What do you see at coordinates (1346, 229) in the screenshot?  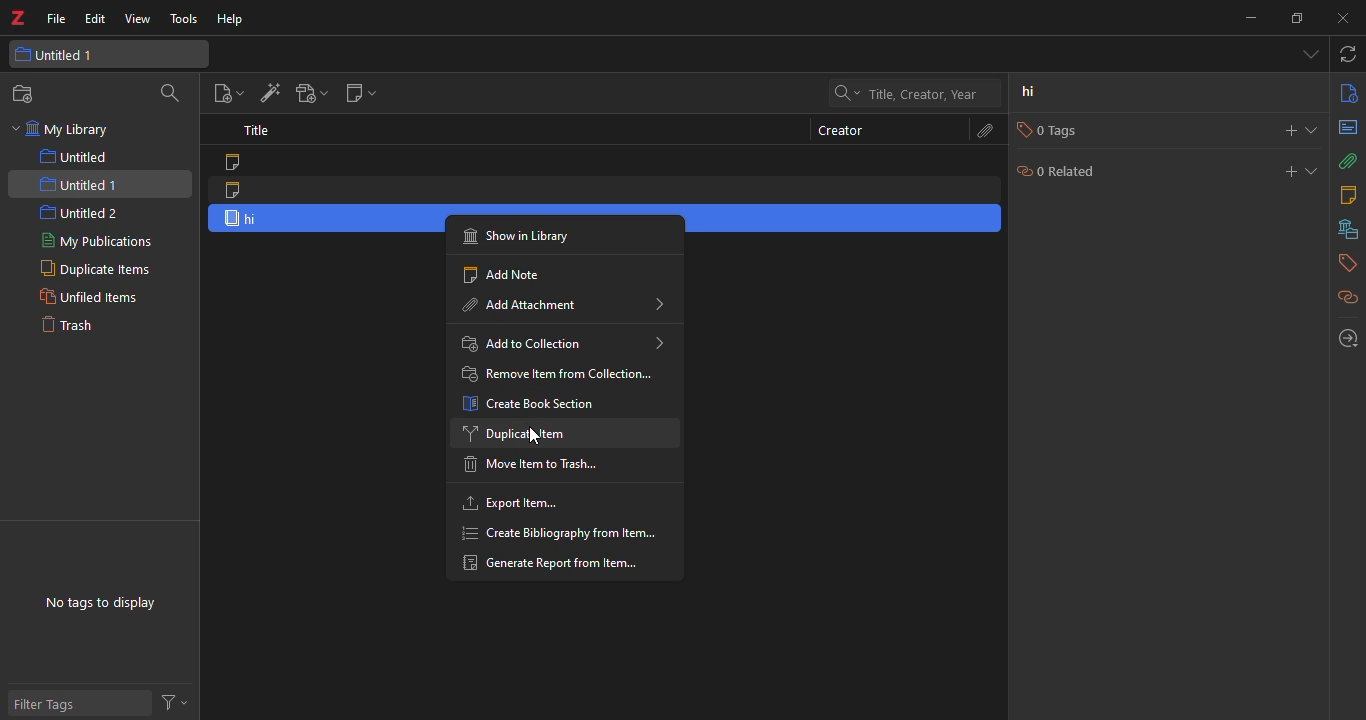 I see `library` at bounding box center [1346, 229].